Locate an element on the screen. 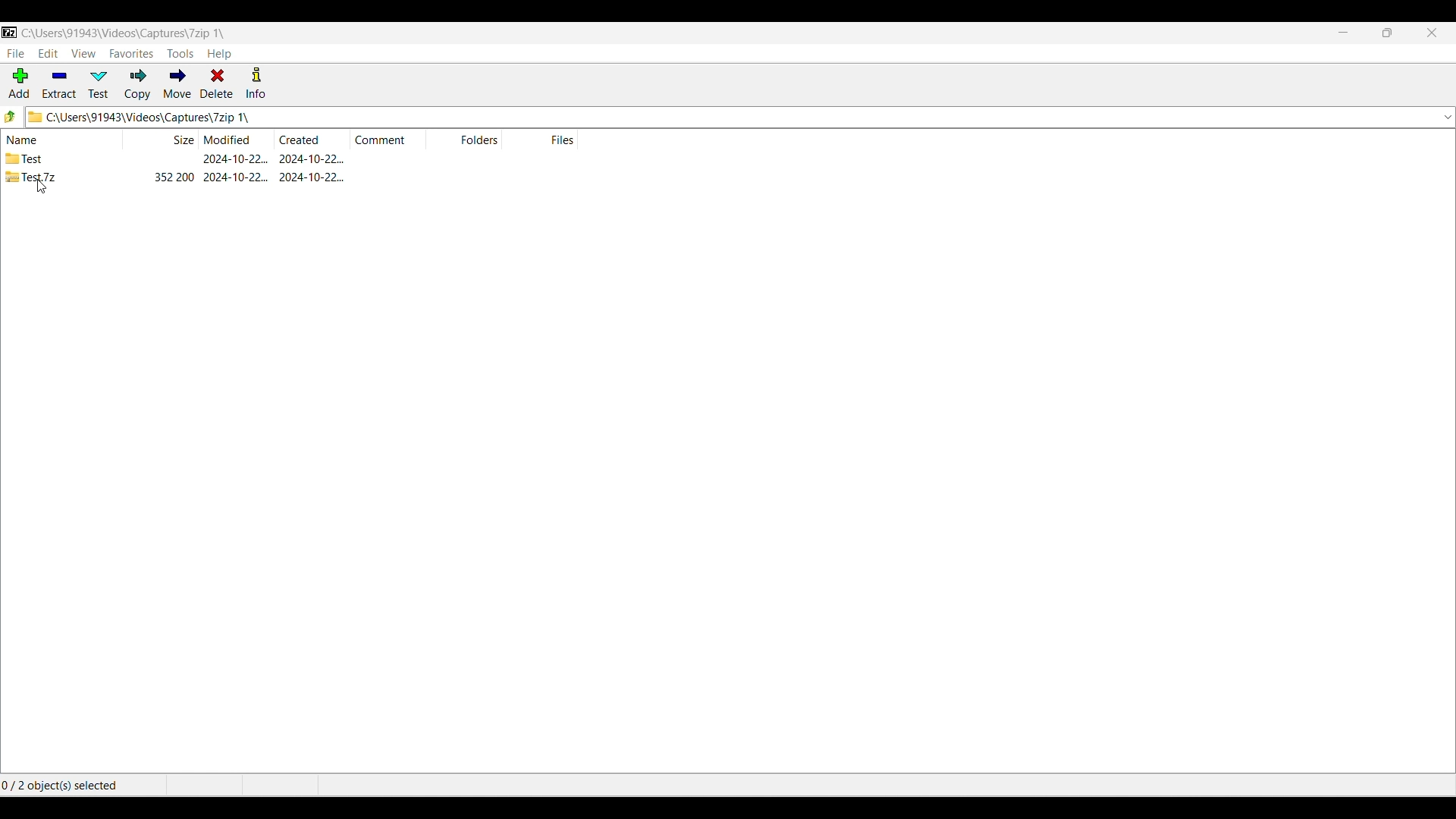  0/2 object(s) selected is located at coordinates (70, 785).